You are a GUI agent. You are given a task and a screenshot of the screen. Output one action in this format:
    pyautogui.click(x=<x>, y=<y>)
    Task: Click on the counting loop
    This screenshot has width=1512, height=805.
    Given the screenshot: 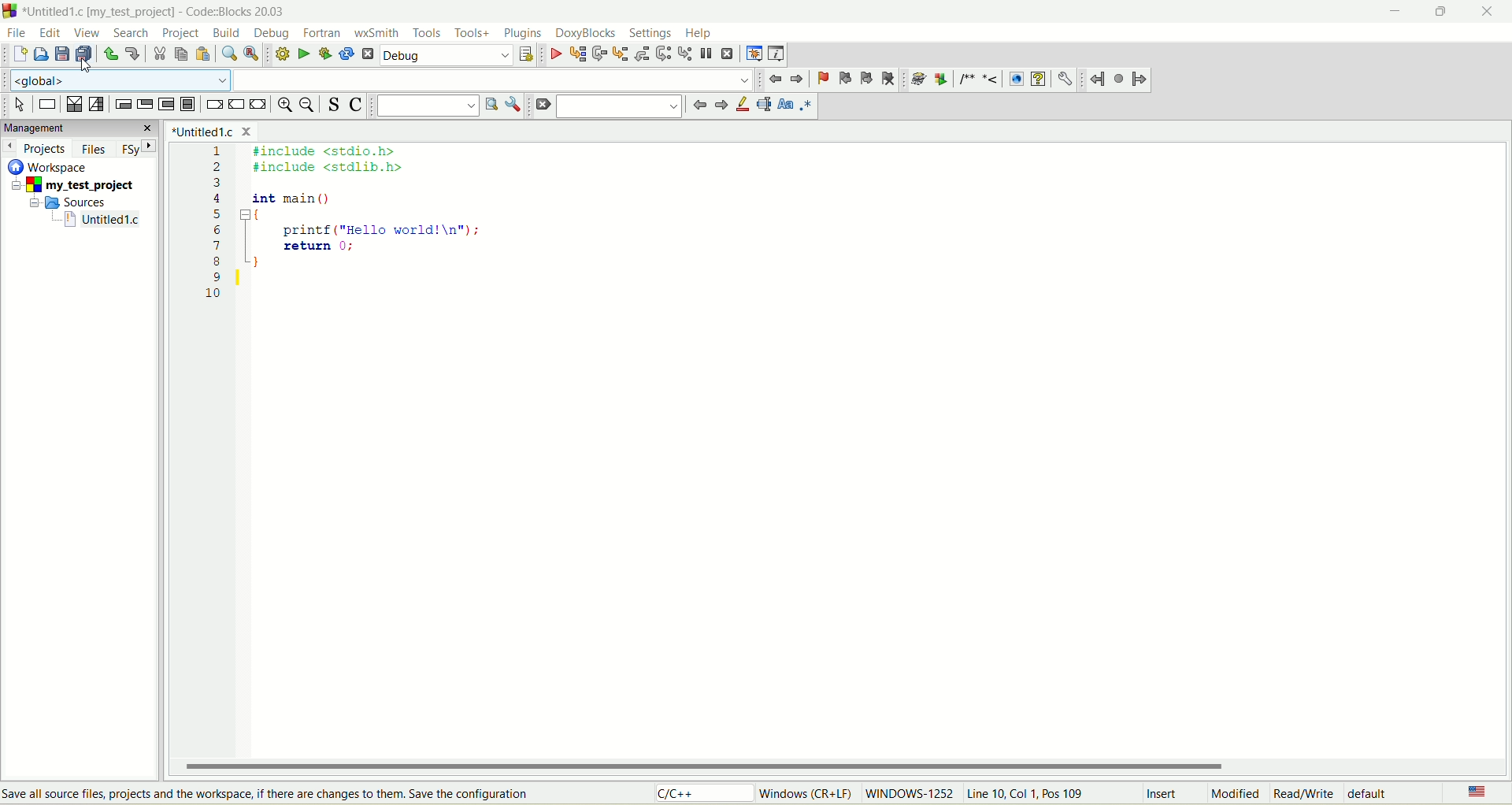 What is the action you would take?
    pyautogui.click(x=165, y=103)
    